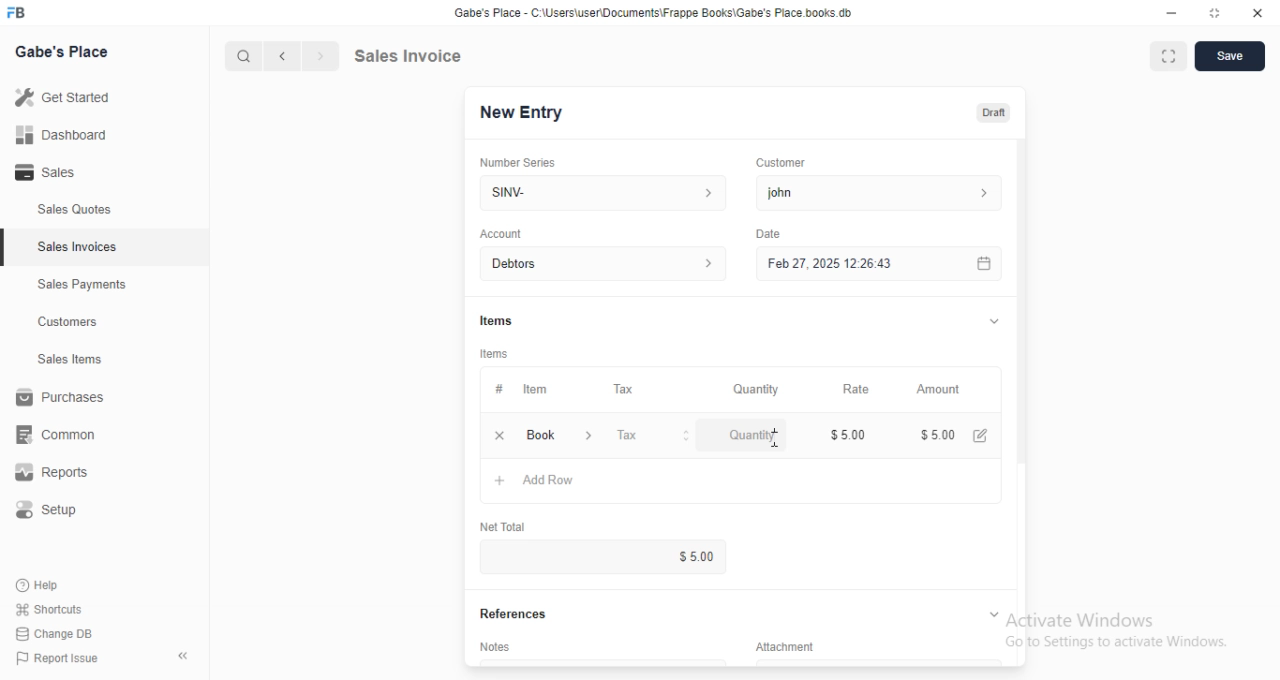  What do you see at coordinates (48, 507) in the screenshot?
I see `Setup` at bounding box center [48, 507].